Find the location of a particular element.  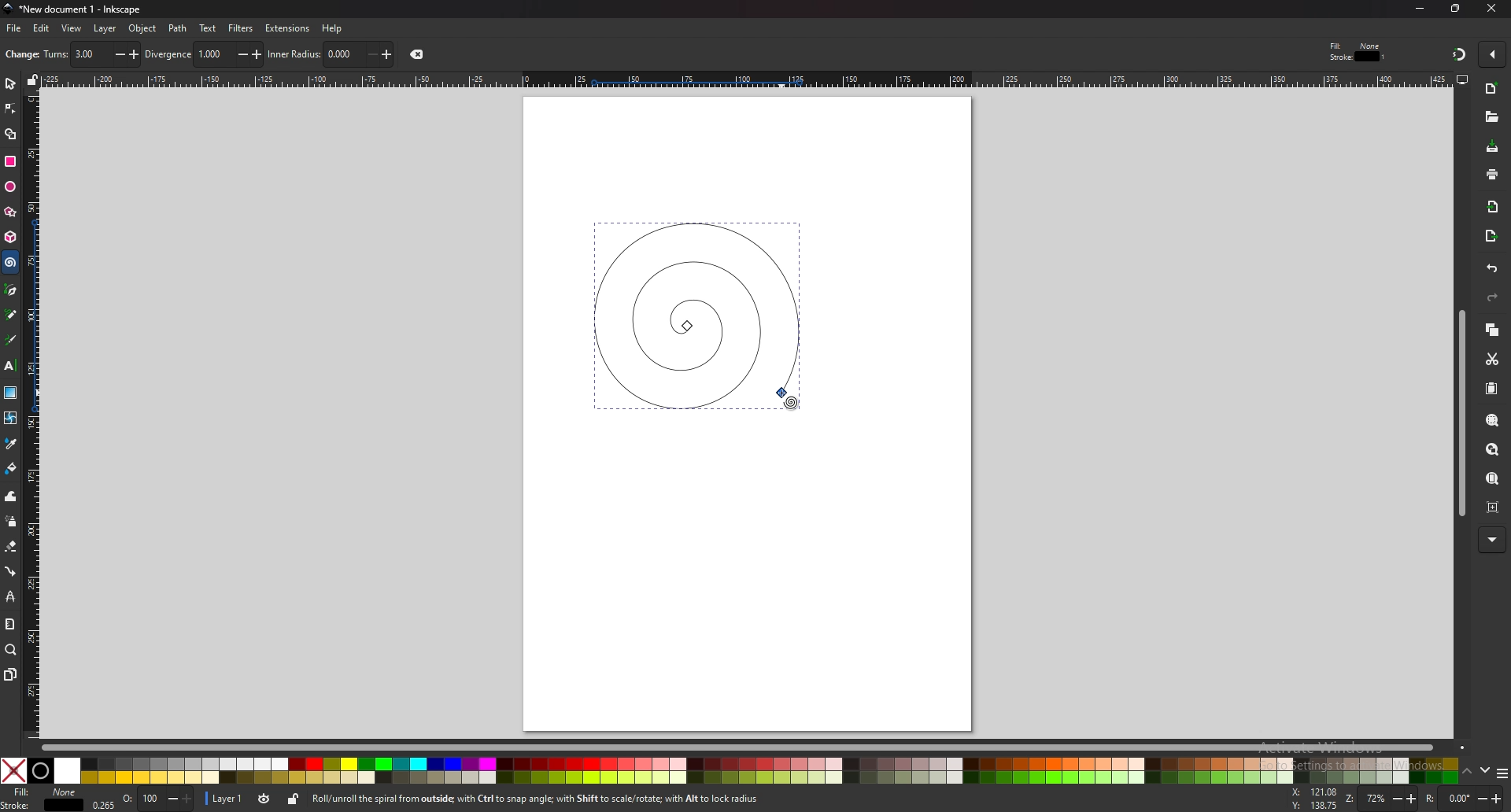

divergence: 1.000 is located at coordinates (201, 54).